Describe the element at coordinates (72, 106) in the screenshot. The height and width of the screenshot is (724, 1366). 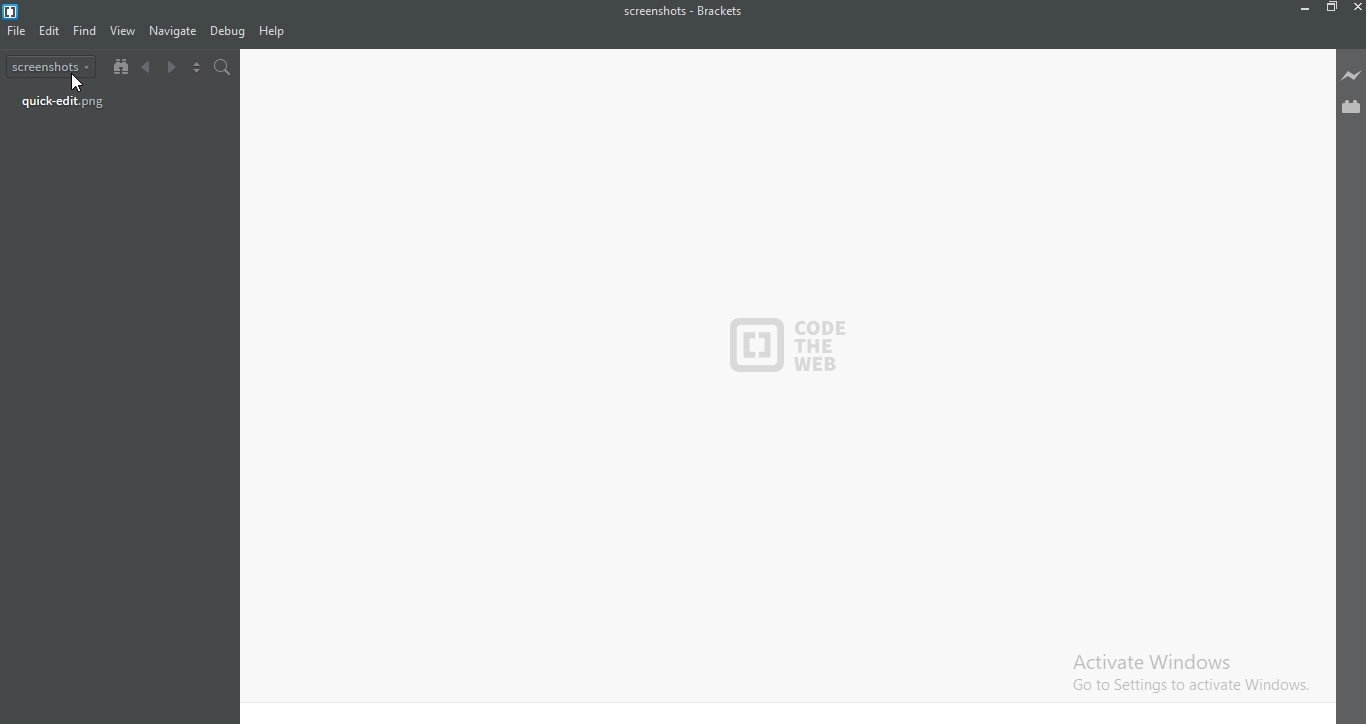
I see `quick-edit.png` at that location.